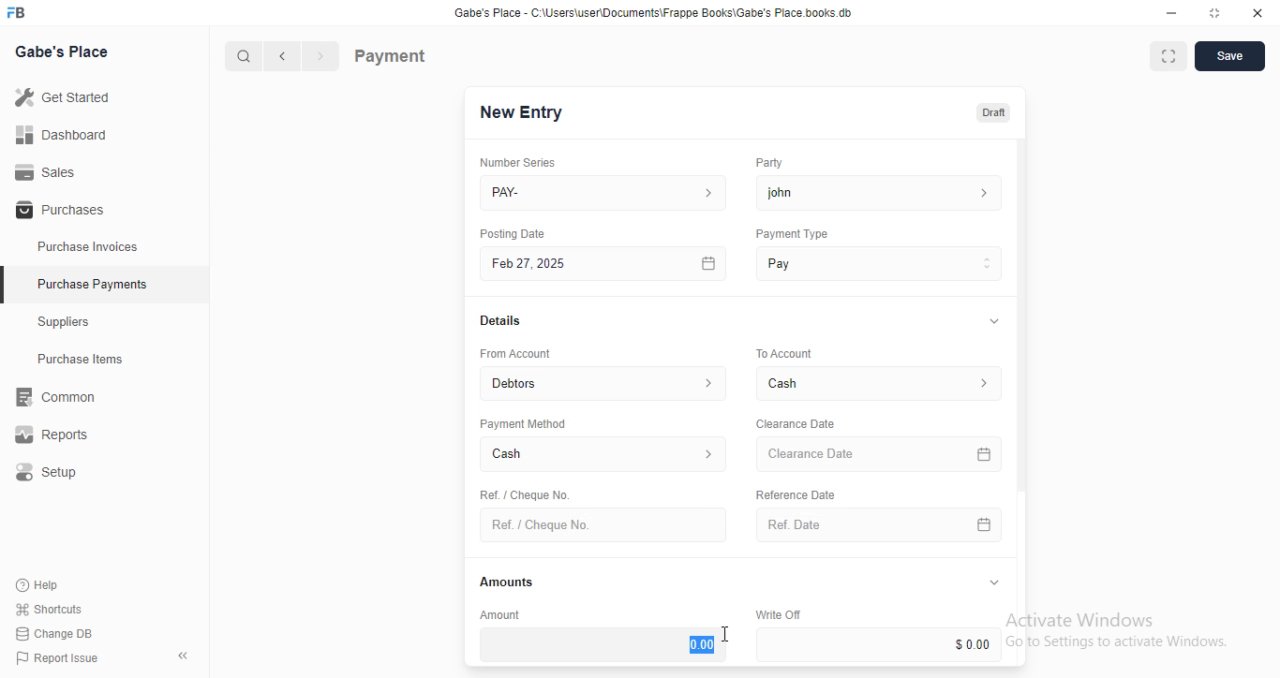 This screenshot has height=678, width=1280. I want to click on ‘From Account, so click(514, 353).